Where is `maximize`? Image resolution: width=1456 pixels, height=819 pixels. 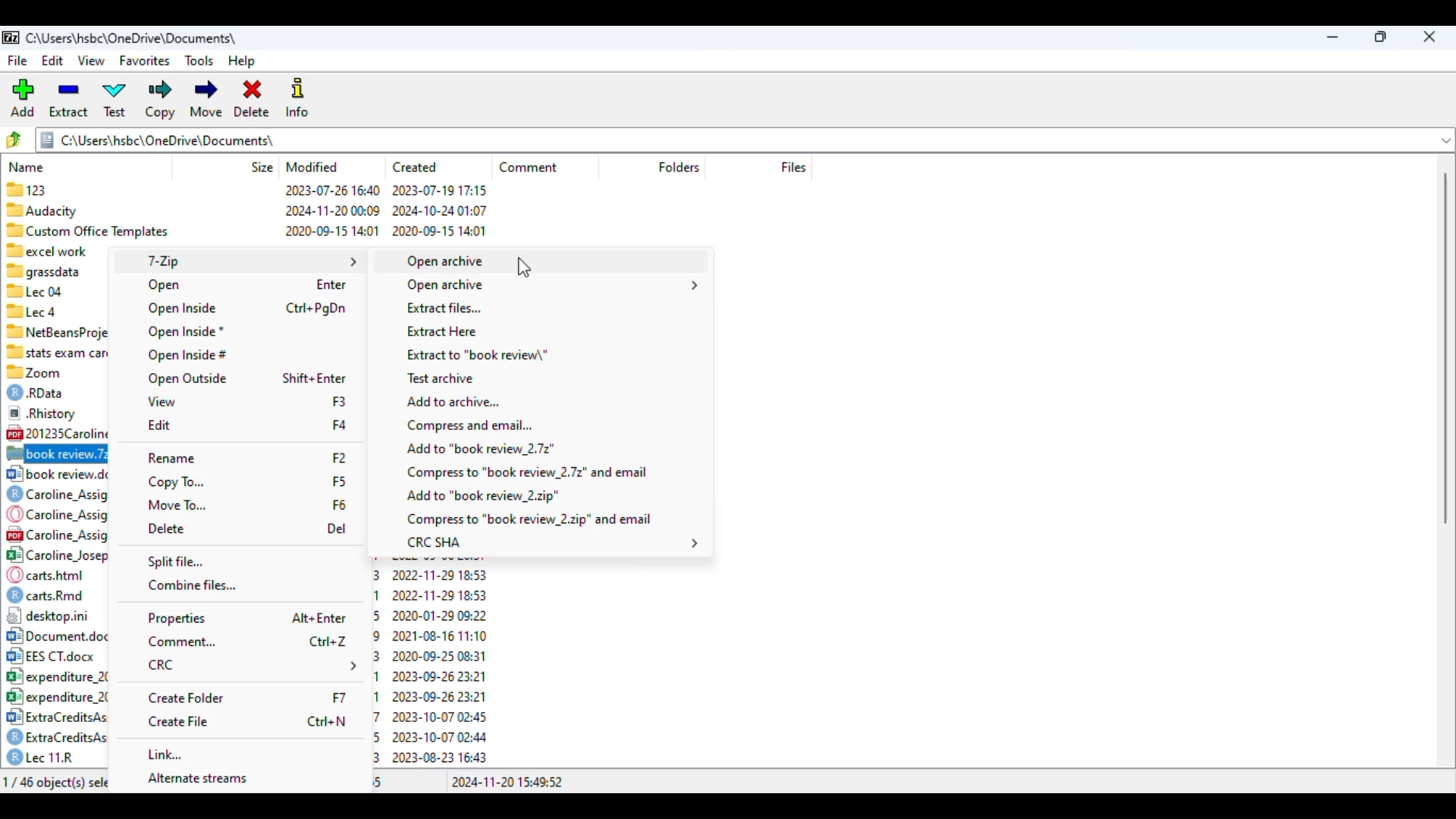 maximize is located at coordinates (1382, 38).